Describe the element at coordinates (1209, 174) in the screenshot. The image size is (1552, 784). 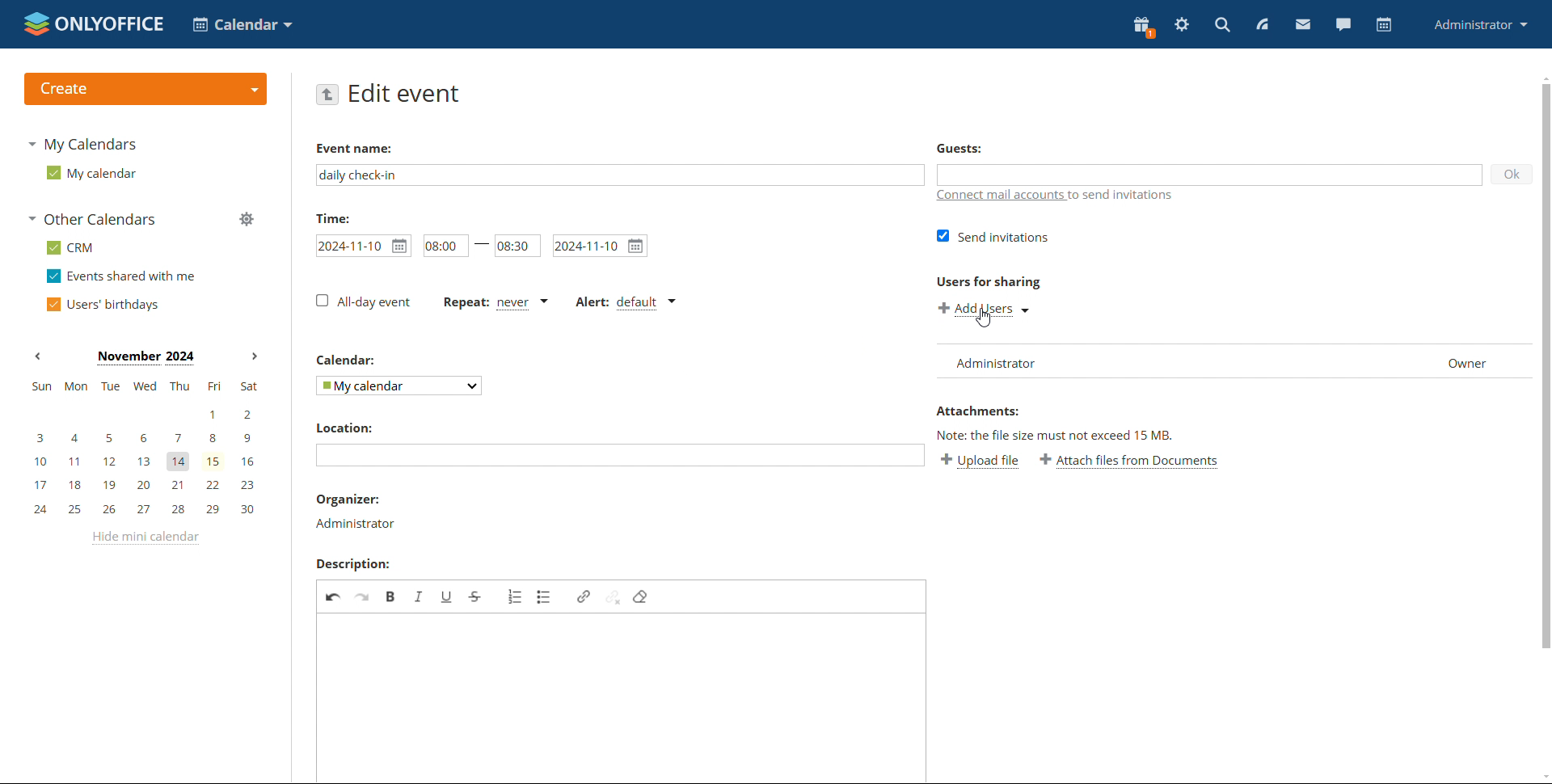
I see `add guests` at that location.